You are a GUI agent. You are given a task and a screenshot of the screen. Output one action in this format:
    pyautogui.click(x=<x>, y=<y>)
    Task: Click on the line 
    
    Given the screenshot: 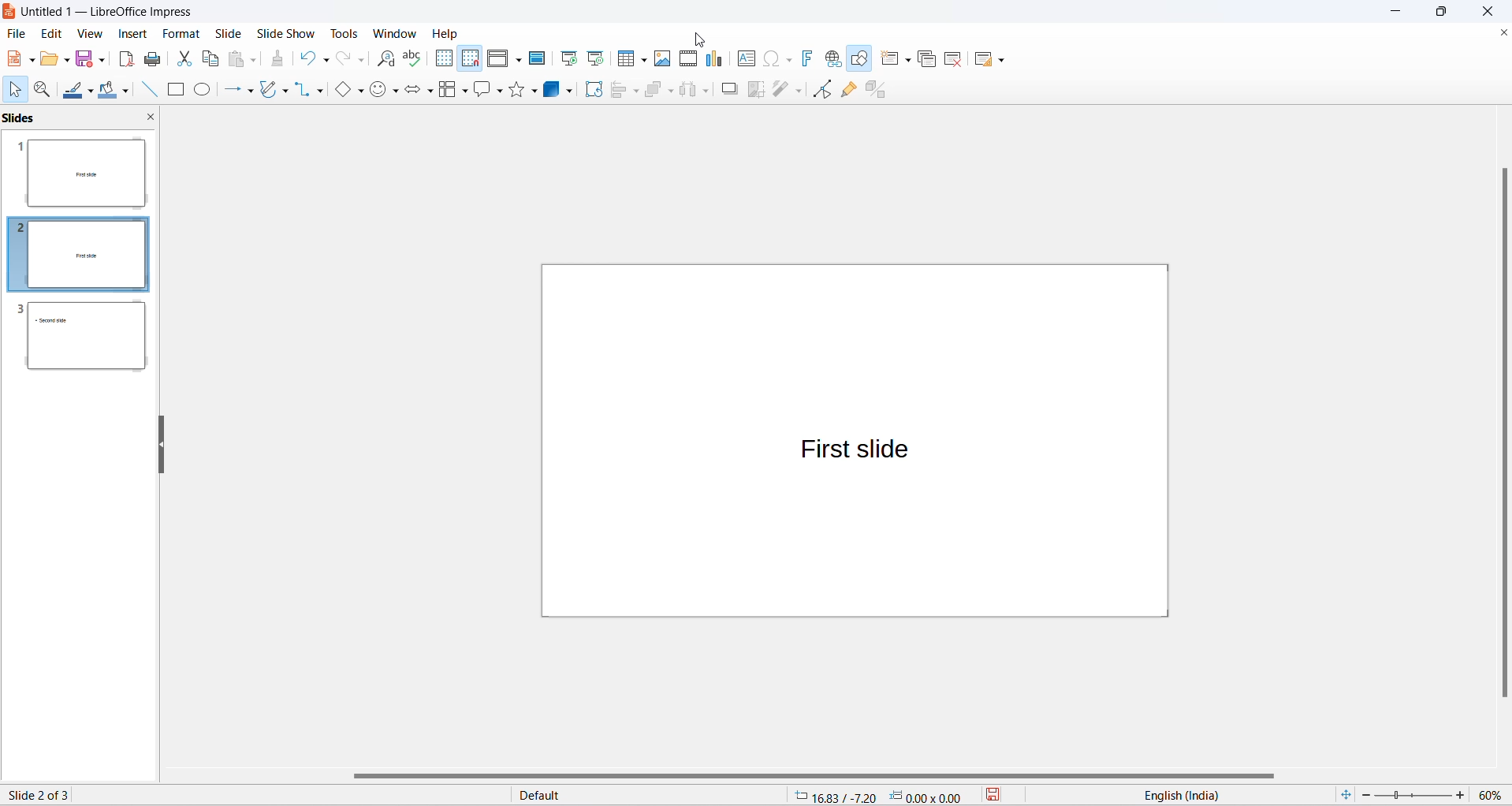 What is the action you would take?
    pyautogui.click(x=233, y=91)
    